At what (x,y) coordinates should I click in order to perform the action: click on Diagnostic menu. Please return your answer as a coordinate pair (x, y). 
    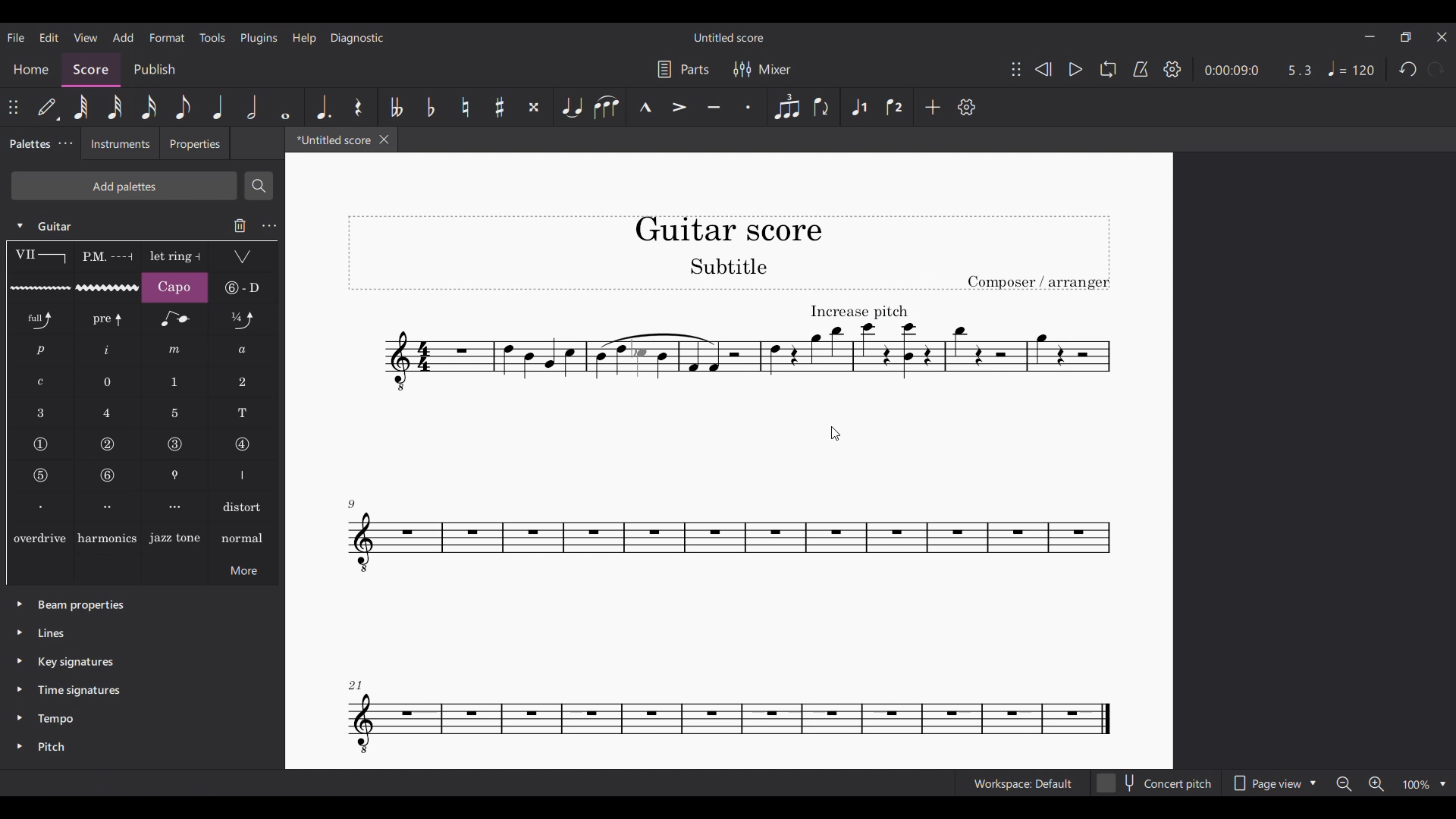
    Looking at the image, I should click on (357, 39).